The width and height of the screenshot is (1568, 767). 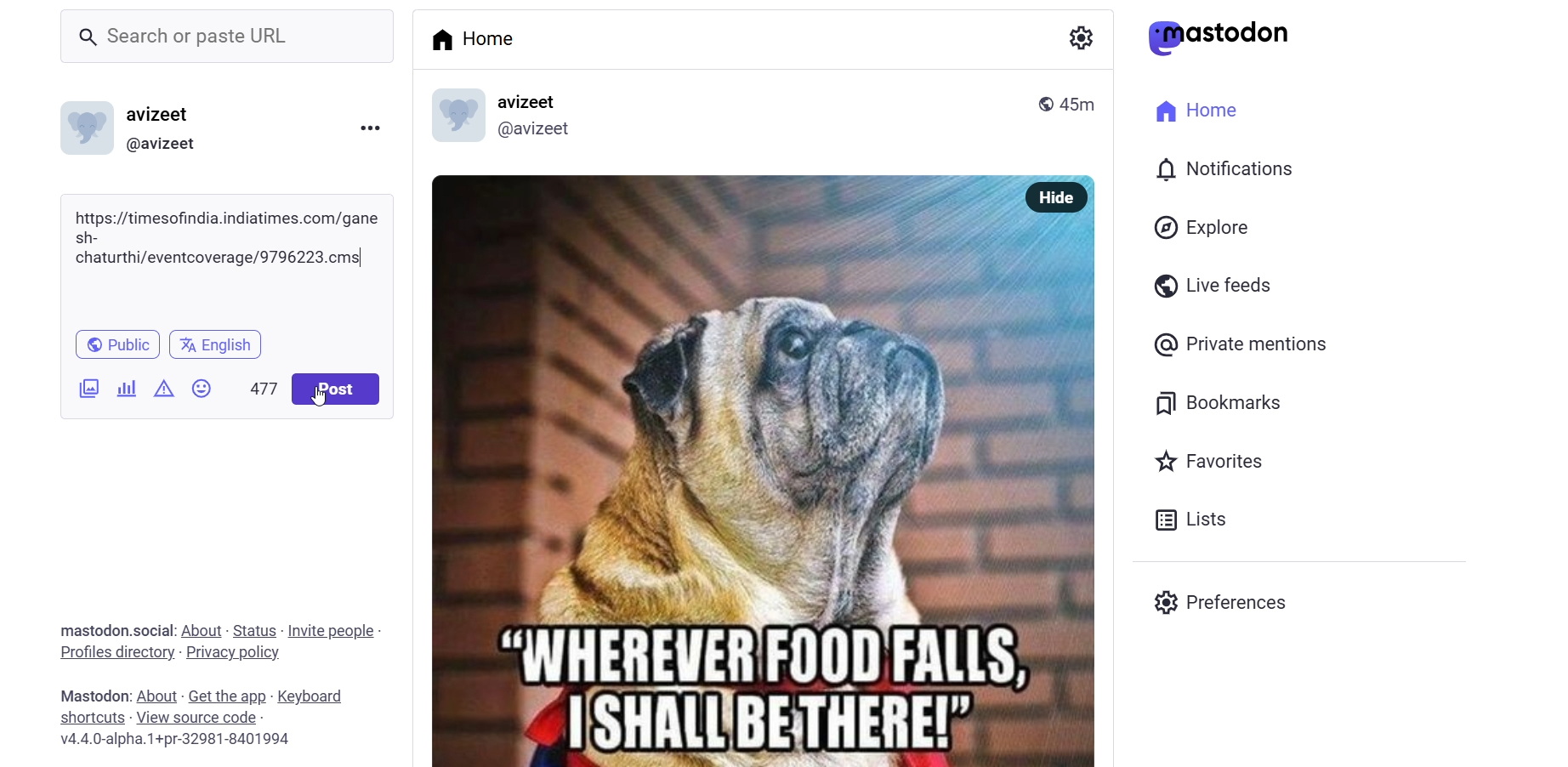 I want to click on astodon, so click(x=1222, y=36).